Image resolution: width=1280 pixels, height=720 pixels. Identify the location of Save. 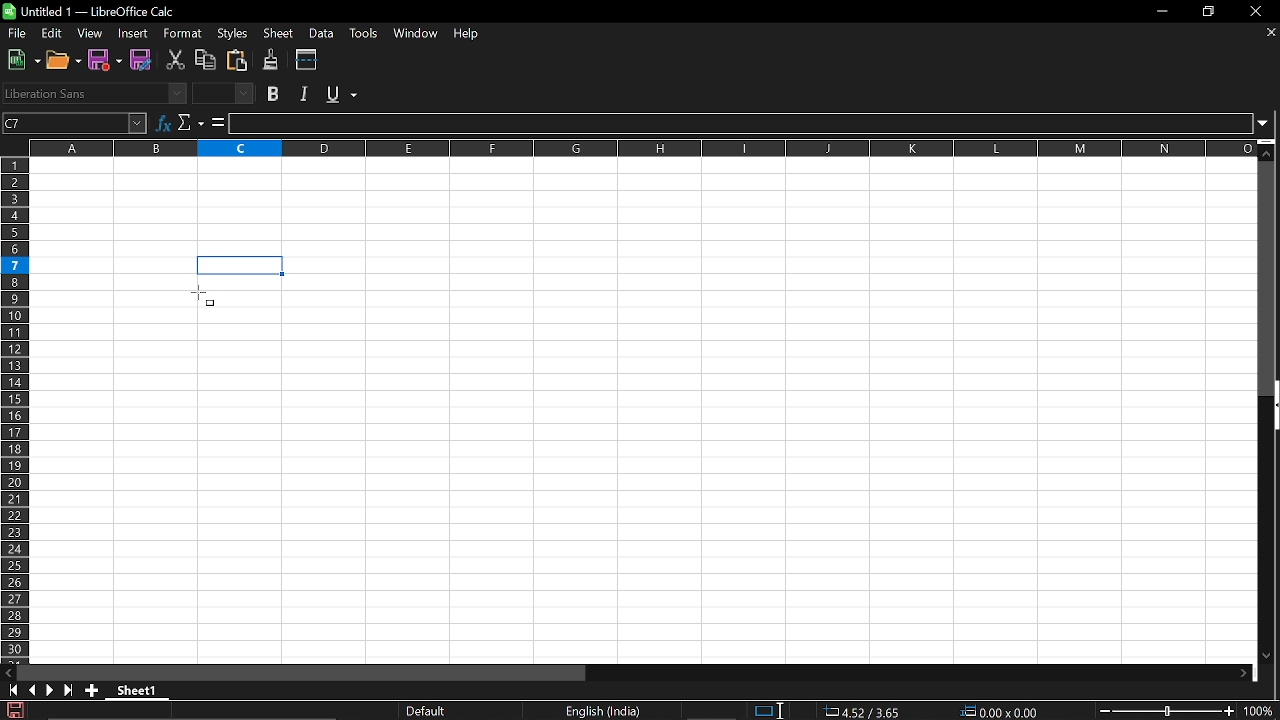
(107, 60).